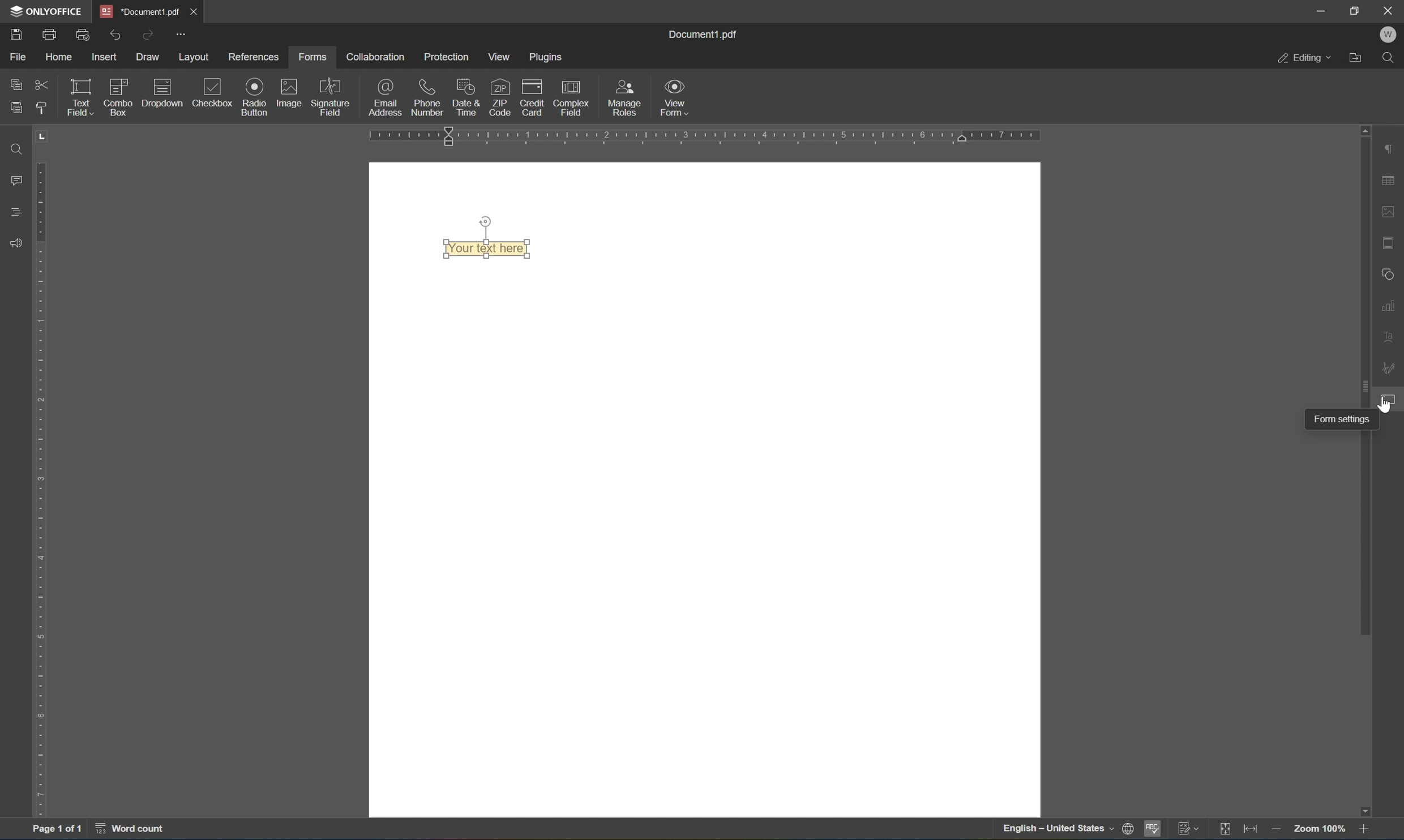 This screenshot has height=840, width=1404. I want to click on find, so click(1390, 58).